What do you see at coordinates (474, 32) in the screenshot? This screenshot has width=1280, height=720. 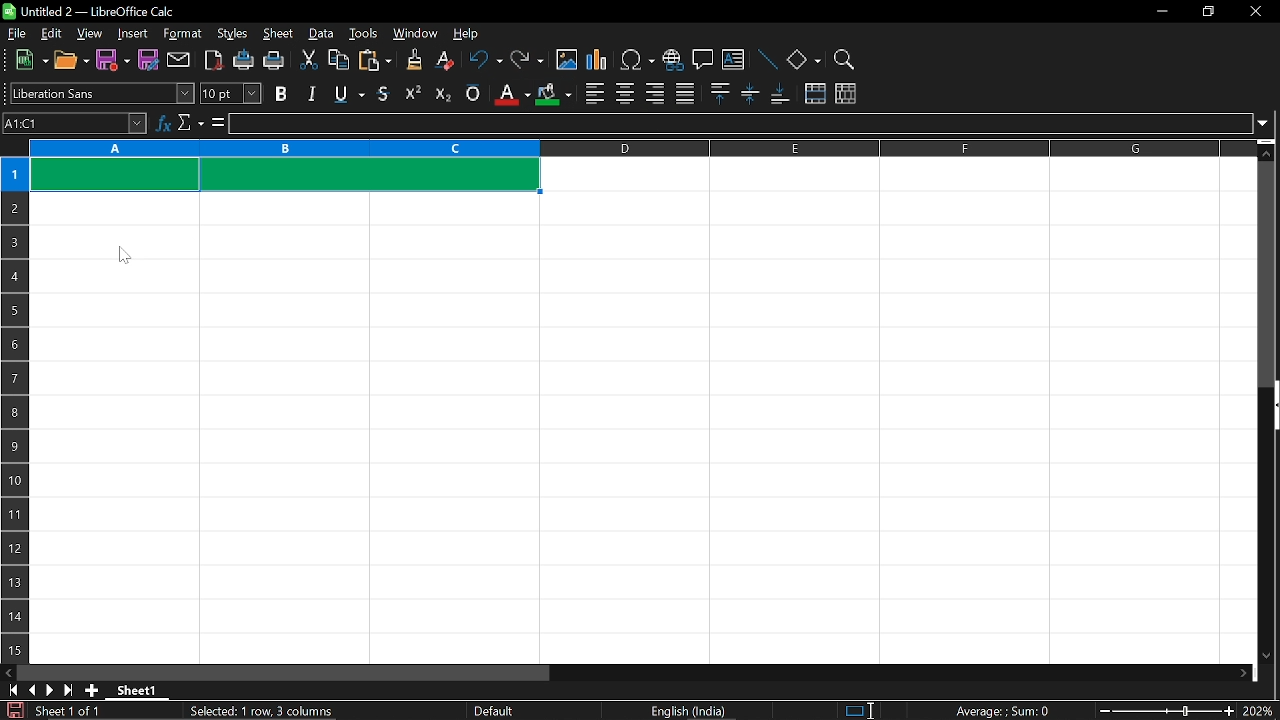 I see `help` at bounding box center [474, 32].